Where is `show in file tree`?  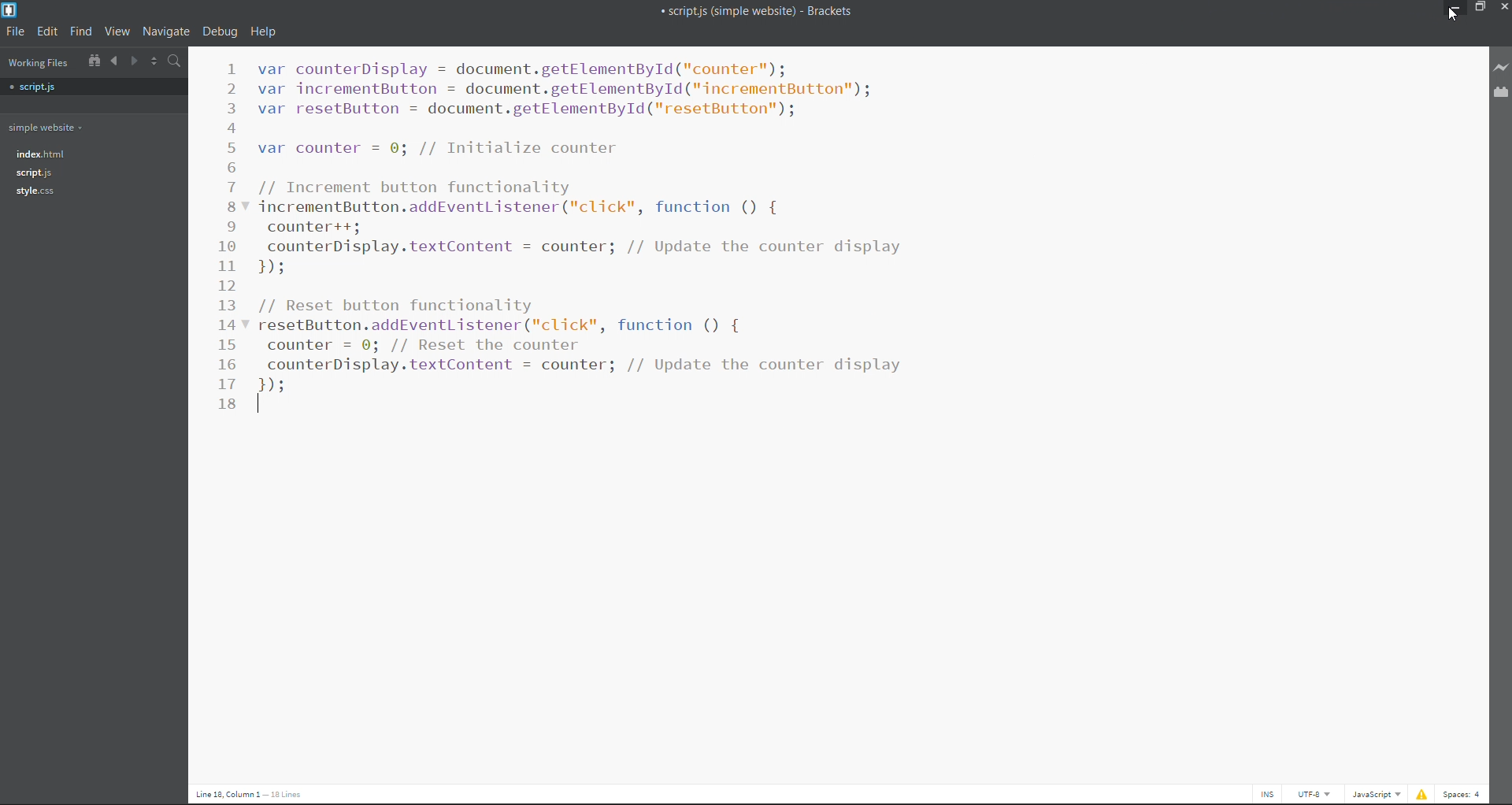 show in file tree is located at coordinates (93, 61).